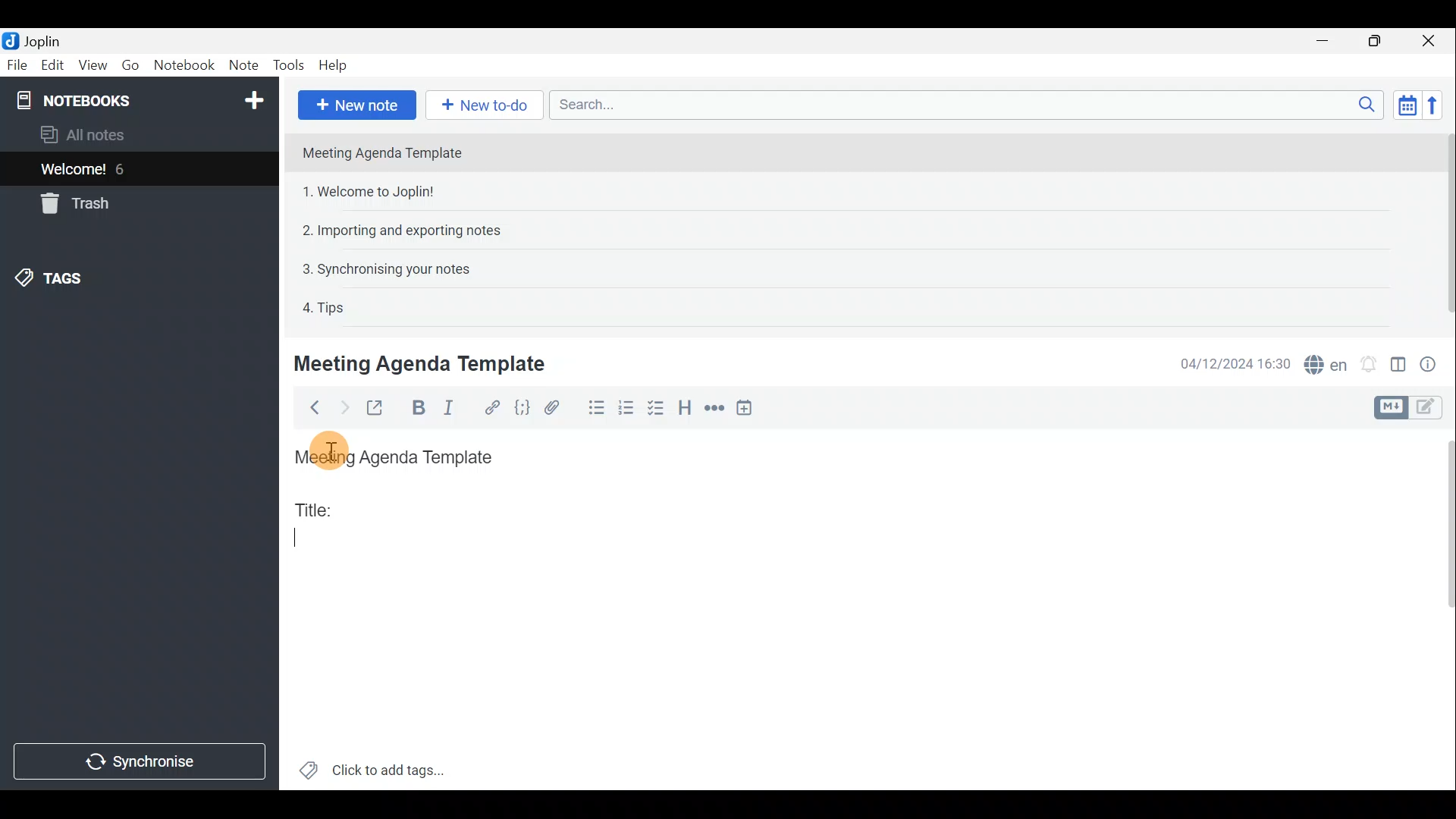  I want to click on Welcome!, so click(74, 171).